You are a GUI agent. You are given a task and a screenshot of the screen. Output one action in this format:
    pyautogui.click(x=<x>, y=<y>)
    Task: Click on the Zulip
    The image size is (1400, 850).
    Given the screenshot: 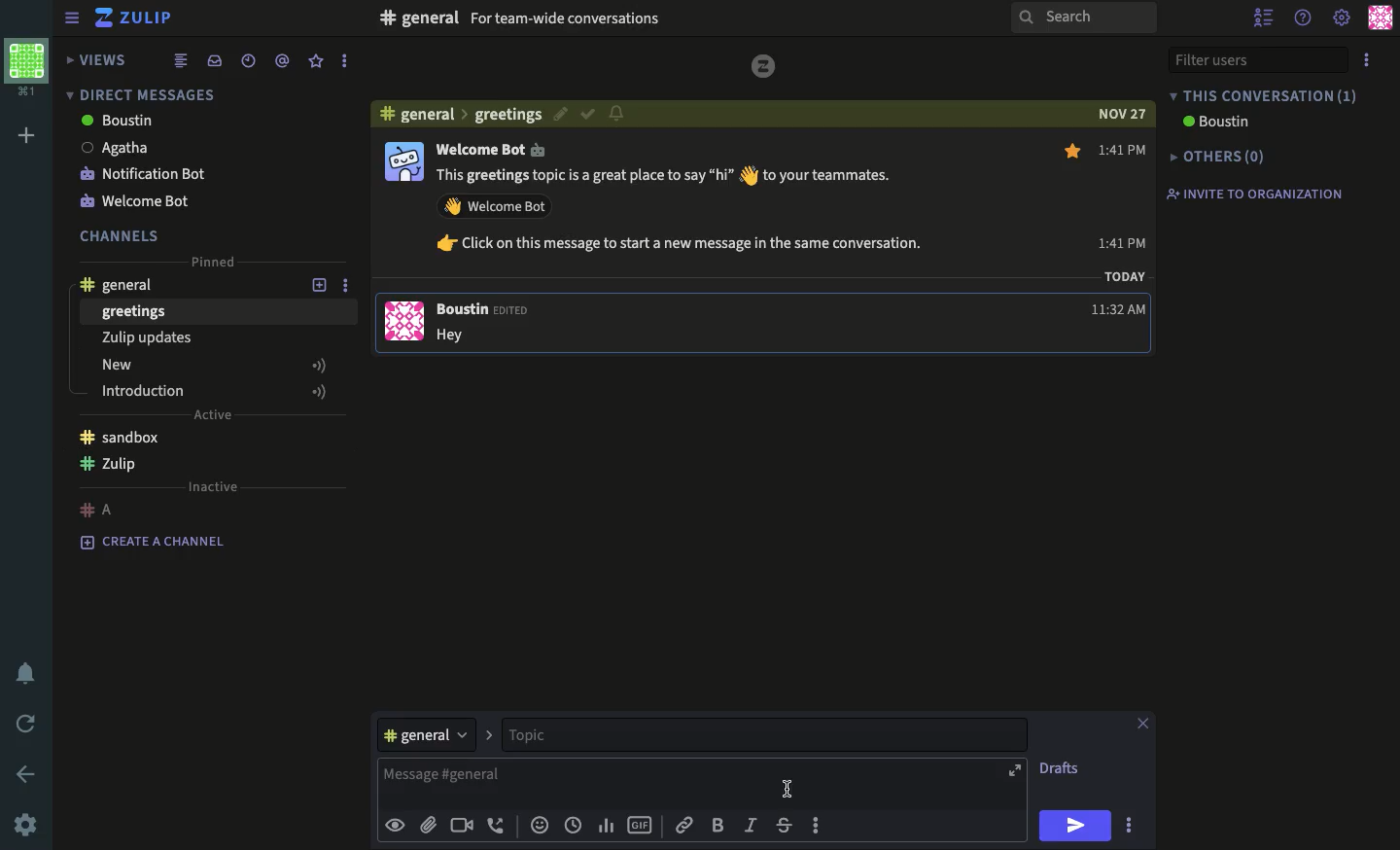 What is the action you would take?
    pyautogui.click(x=134, y=18)
    